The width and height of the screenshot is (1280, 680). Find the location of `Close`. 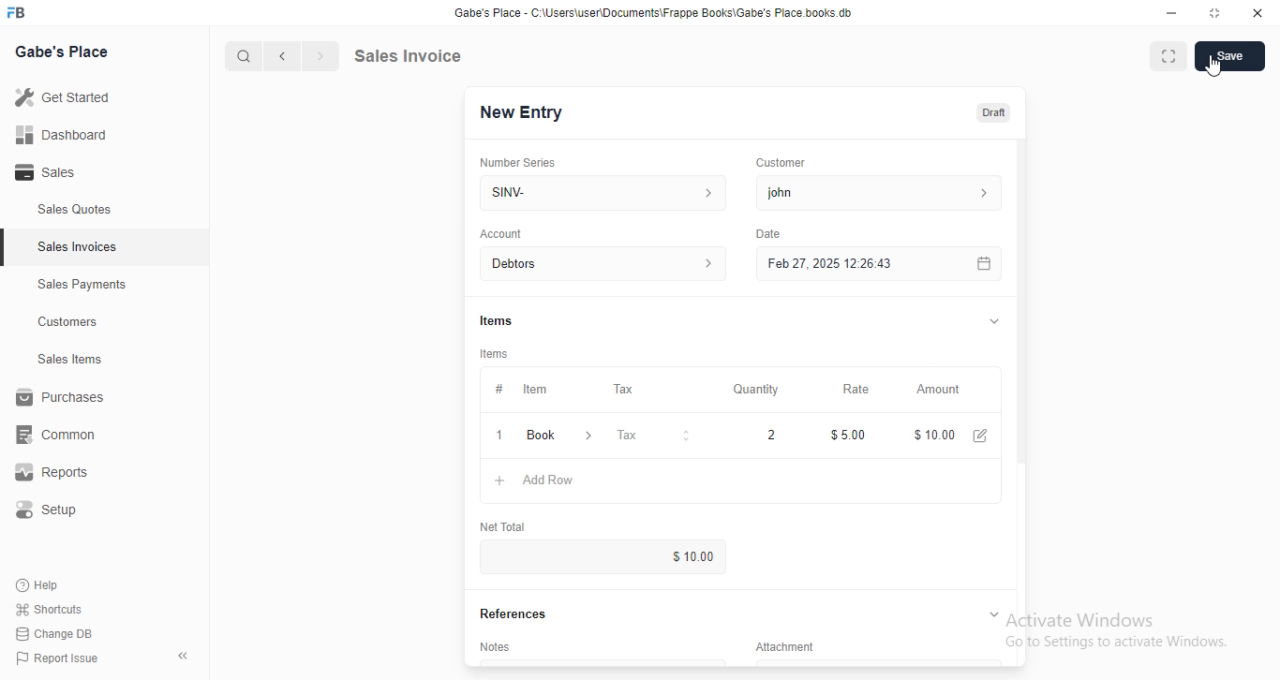

Close is located at coordinates (1257, 14).